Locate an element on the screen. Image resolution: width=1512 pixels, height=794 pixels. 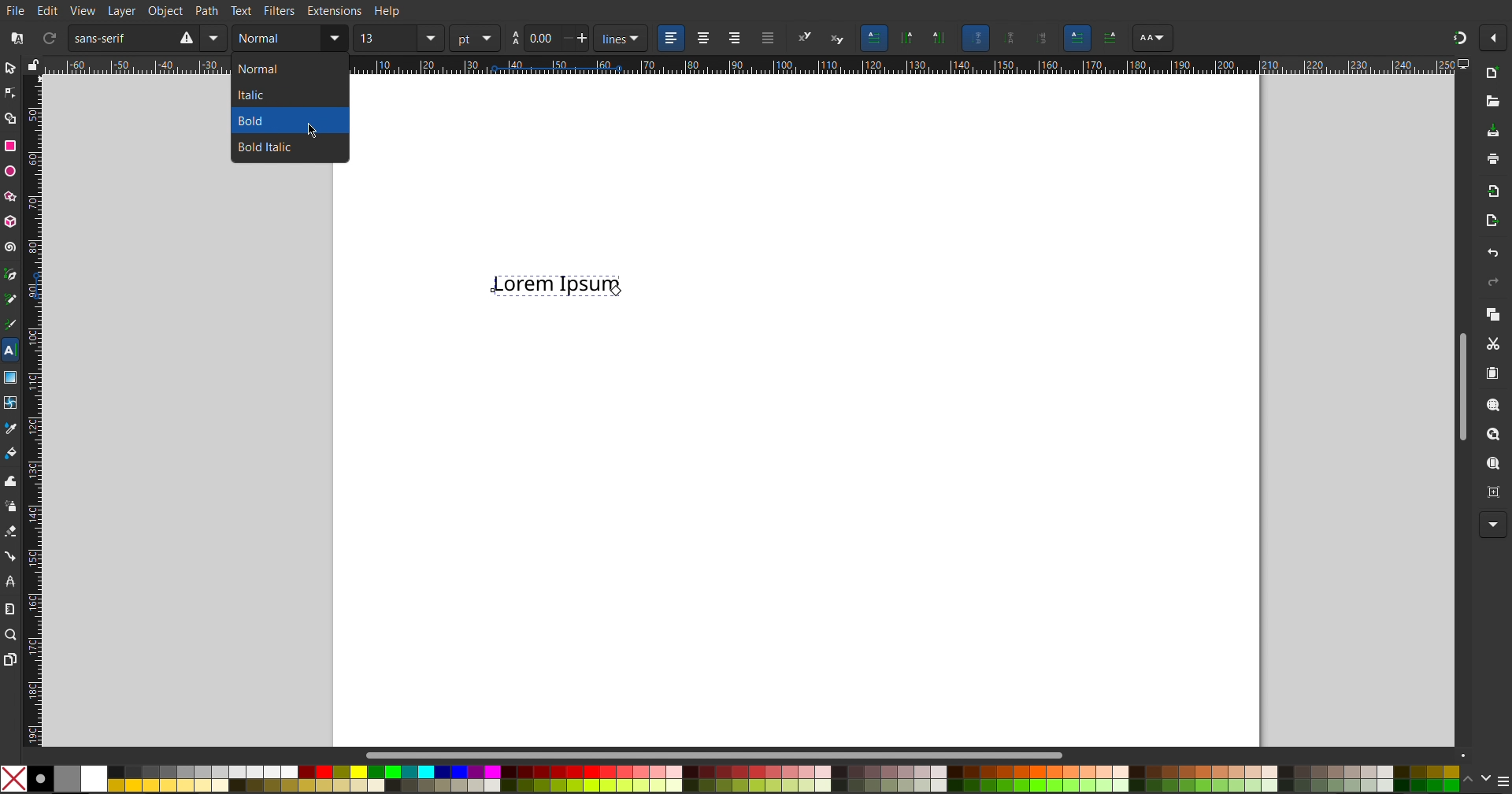
More is located at coordinates (1489, 525).